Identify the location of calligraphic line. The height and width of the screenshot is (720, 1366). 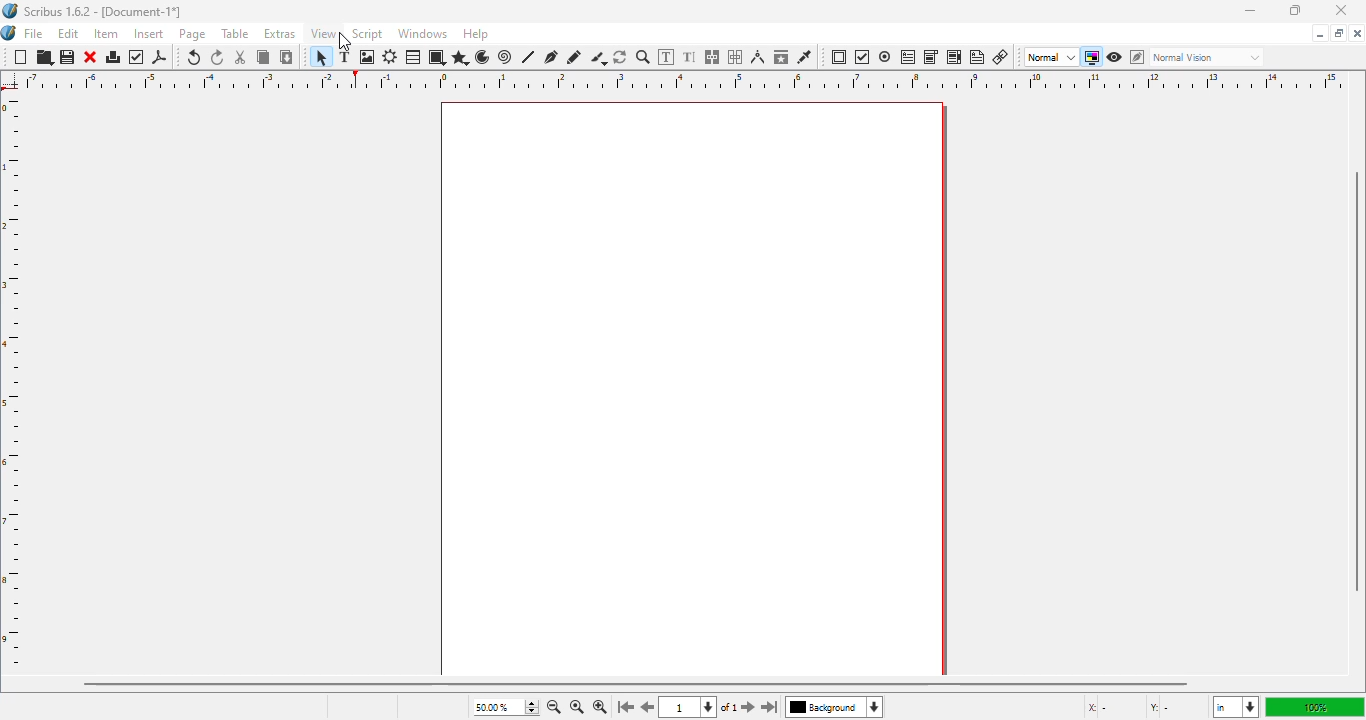
(598, 58).